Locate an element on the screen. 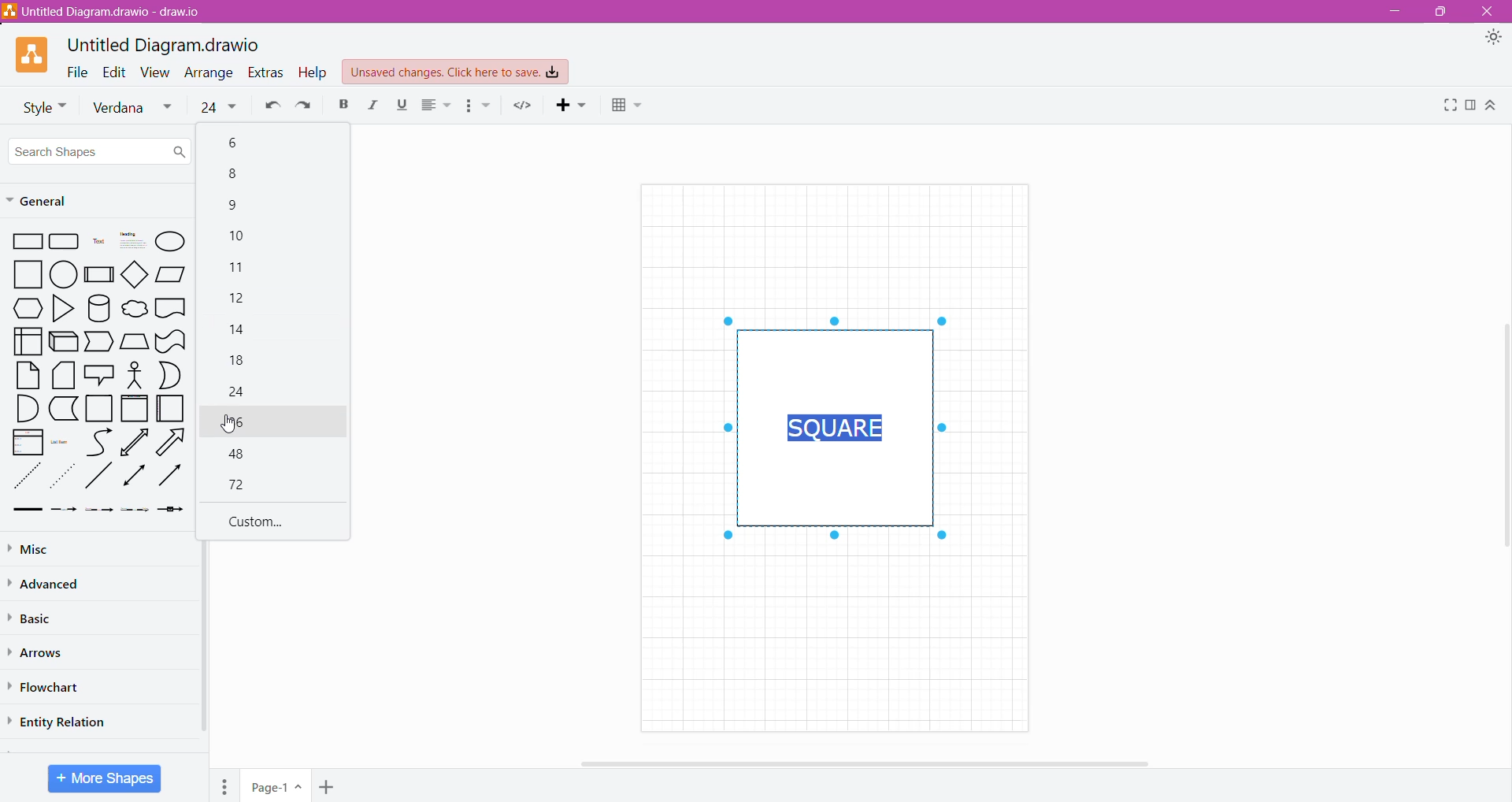 Image resolution: width=1512 pixels, height=802 pixels. Minimize is located at coordinates (1399, 13).